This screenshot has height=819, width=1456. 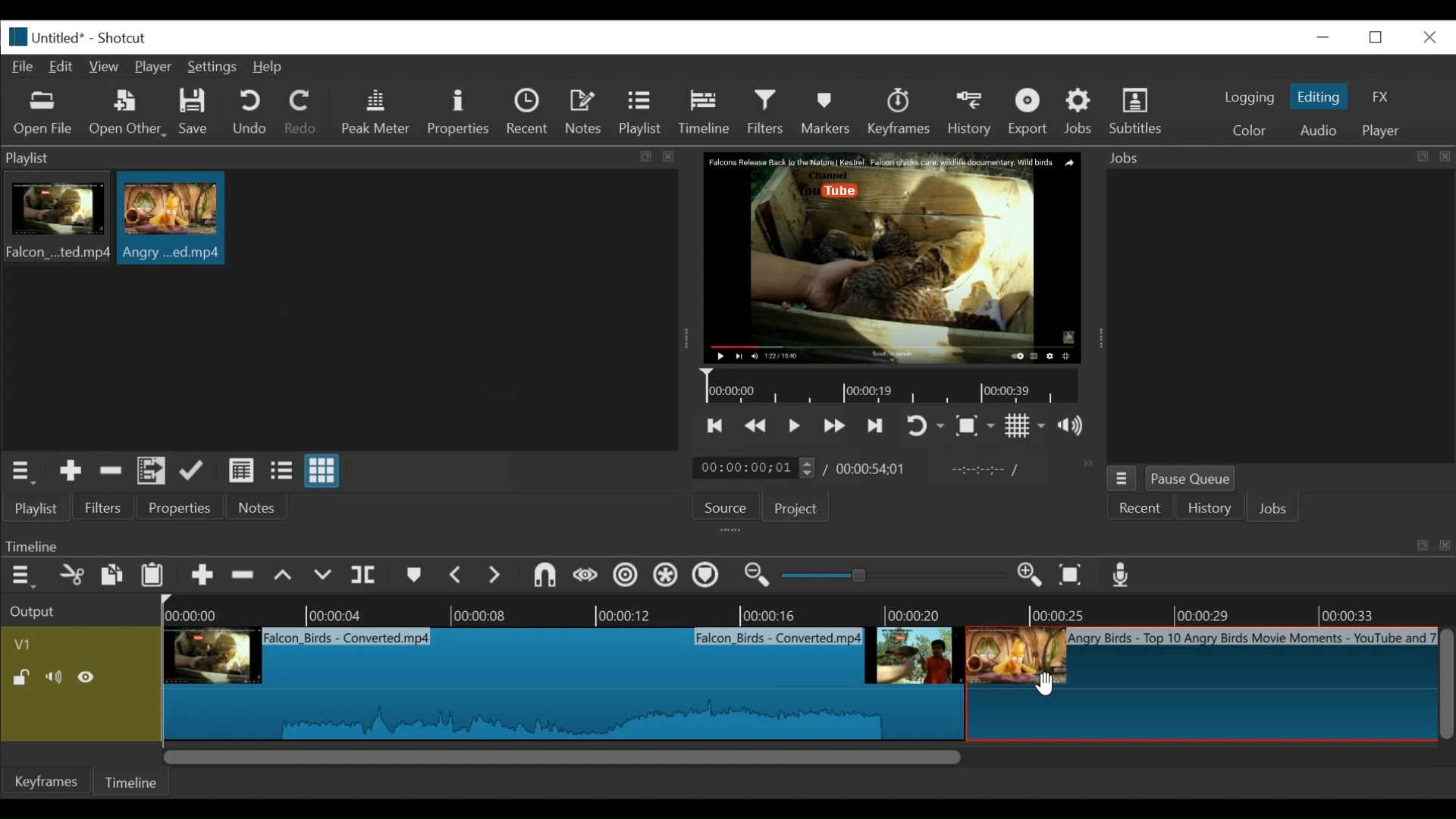 What do you see at coordinates (709, 577) in the screenshot?
I see `Ripple markers` at bounding box center [709, 577].